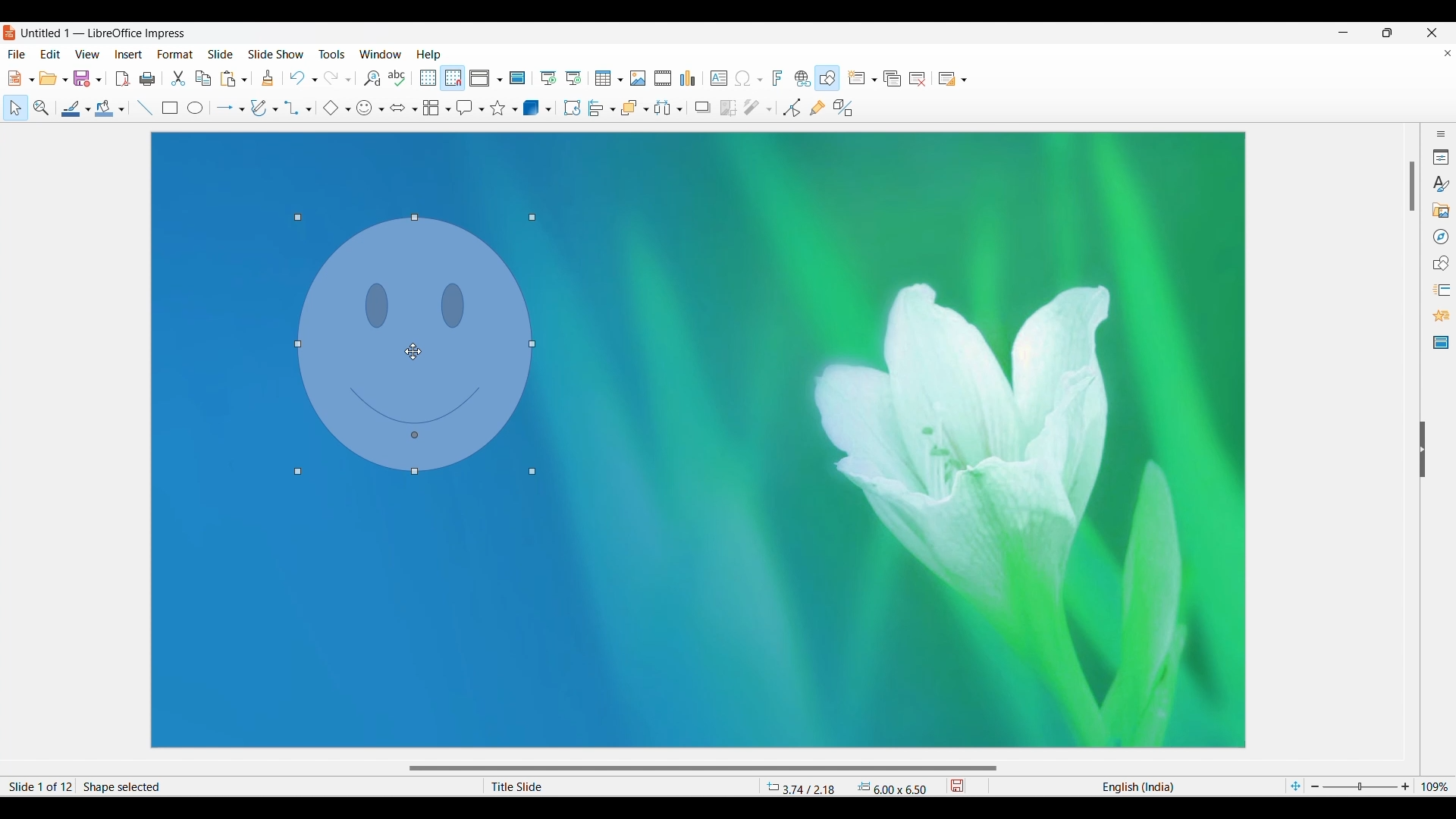  I want to click on Undo, so click(297, 78).